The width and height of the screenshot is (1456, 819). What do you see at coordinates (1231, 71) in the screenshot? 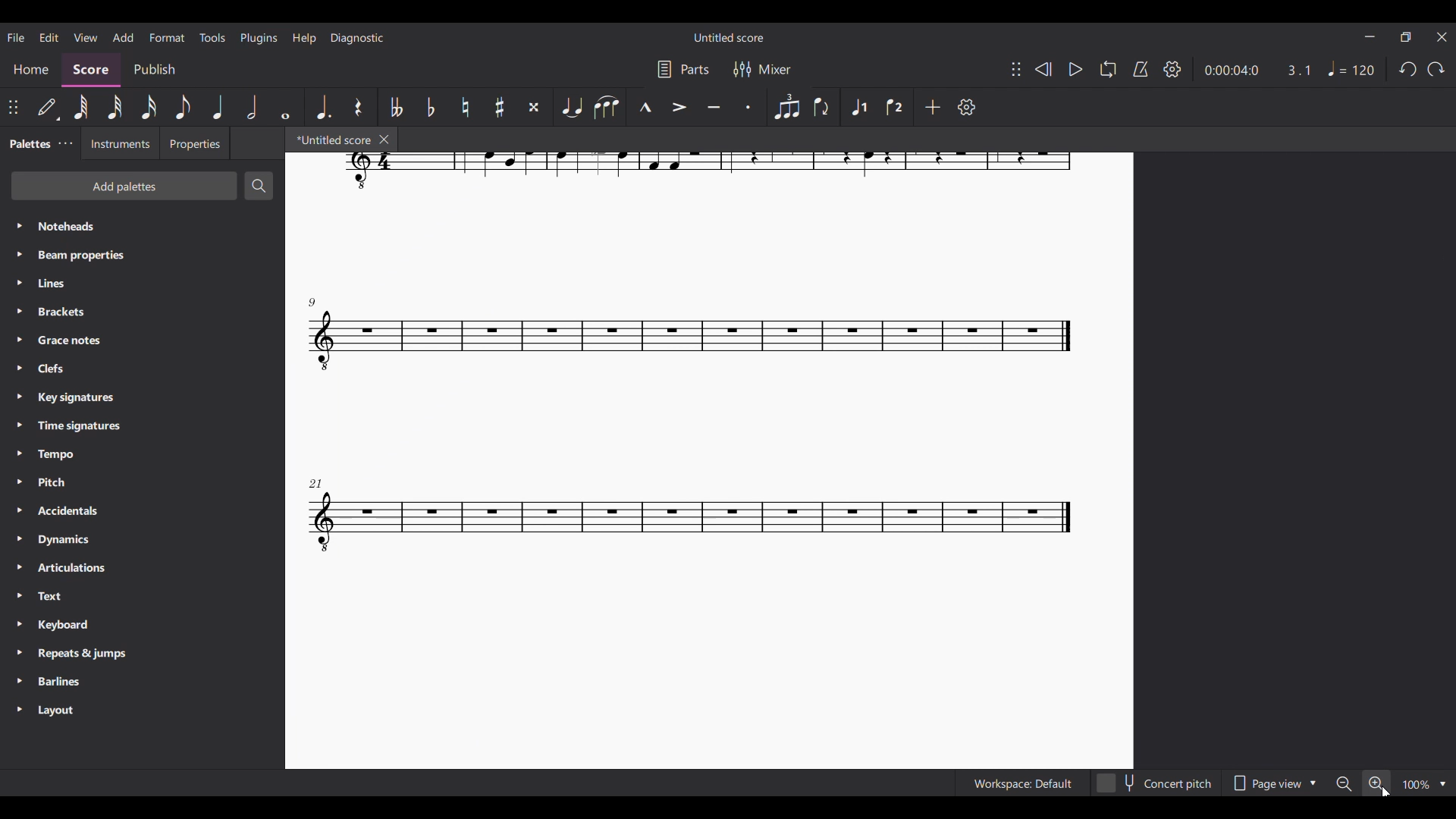
I see `Current duration` at bounding box center [1231, 71].